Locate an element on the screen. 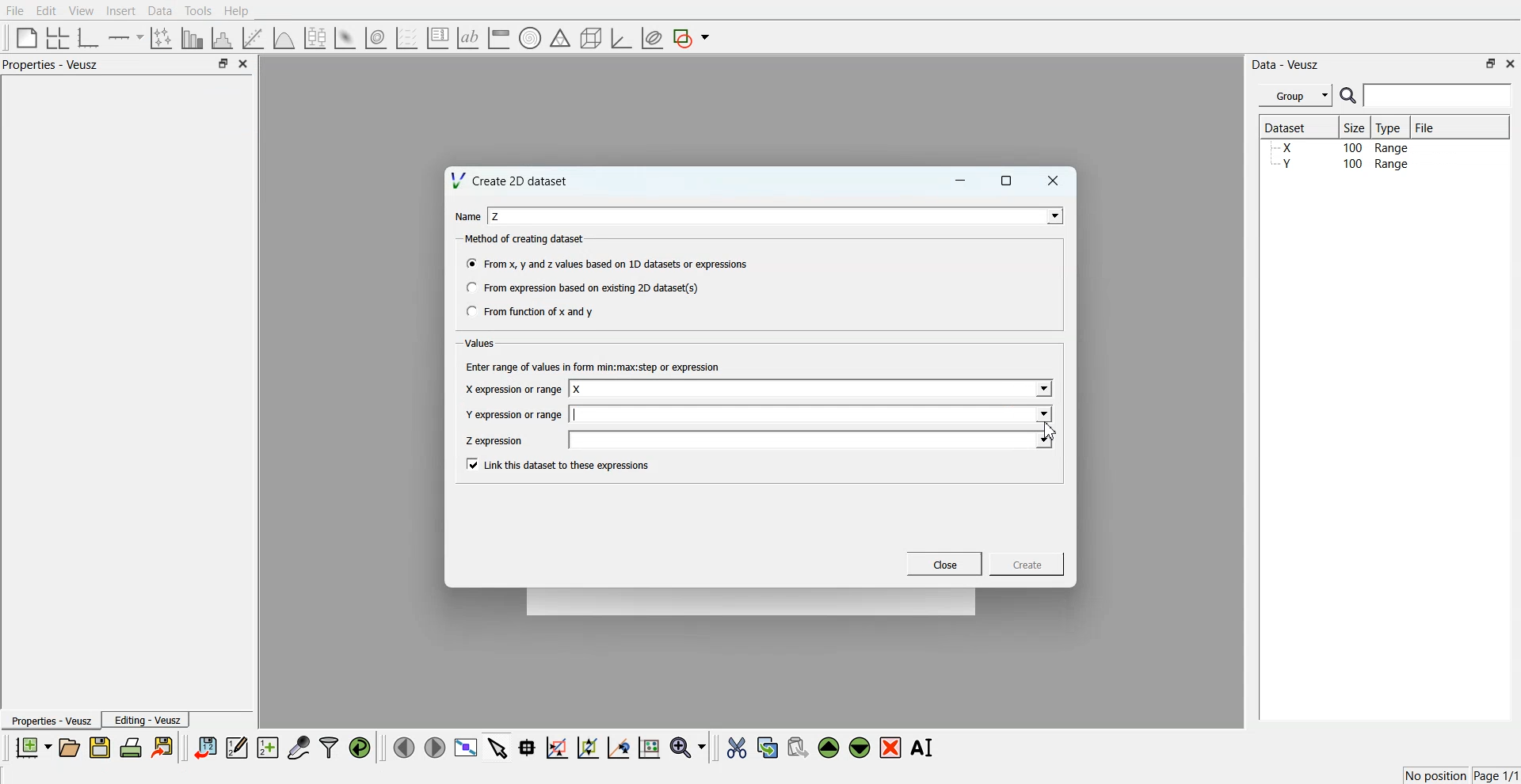 The width and height of the screenshot is (1521, 784). 3D Graph is located at coordinates (621, 38).